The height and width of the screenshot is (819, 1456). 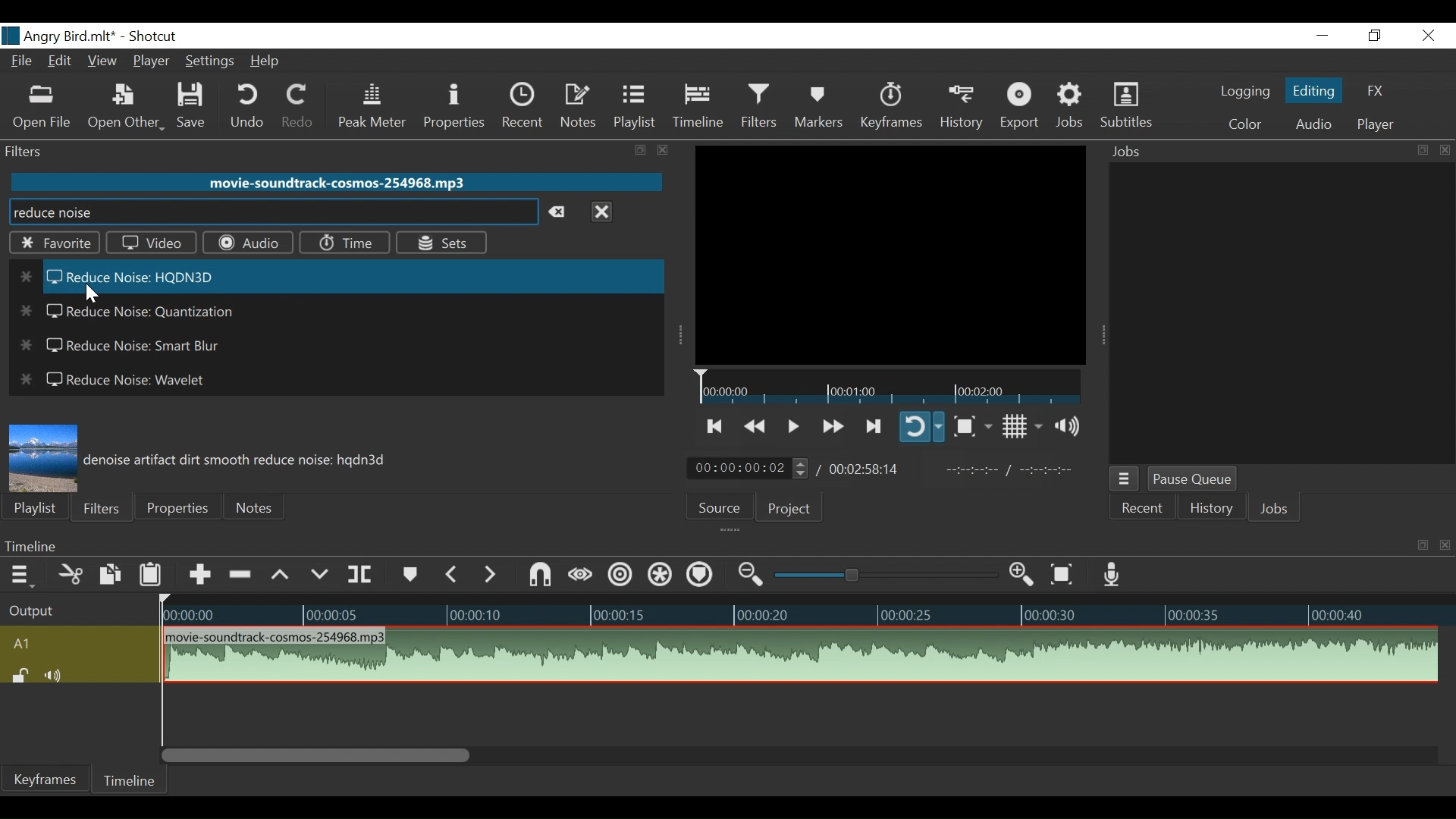 I want to click on Color, so click(x=1244, y=125).